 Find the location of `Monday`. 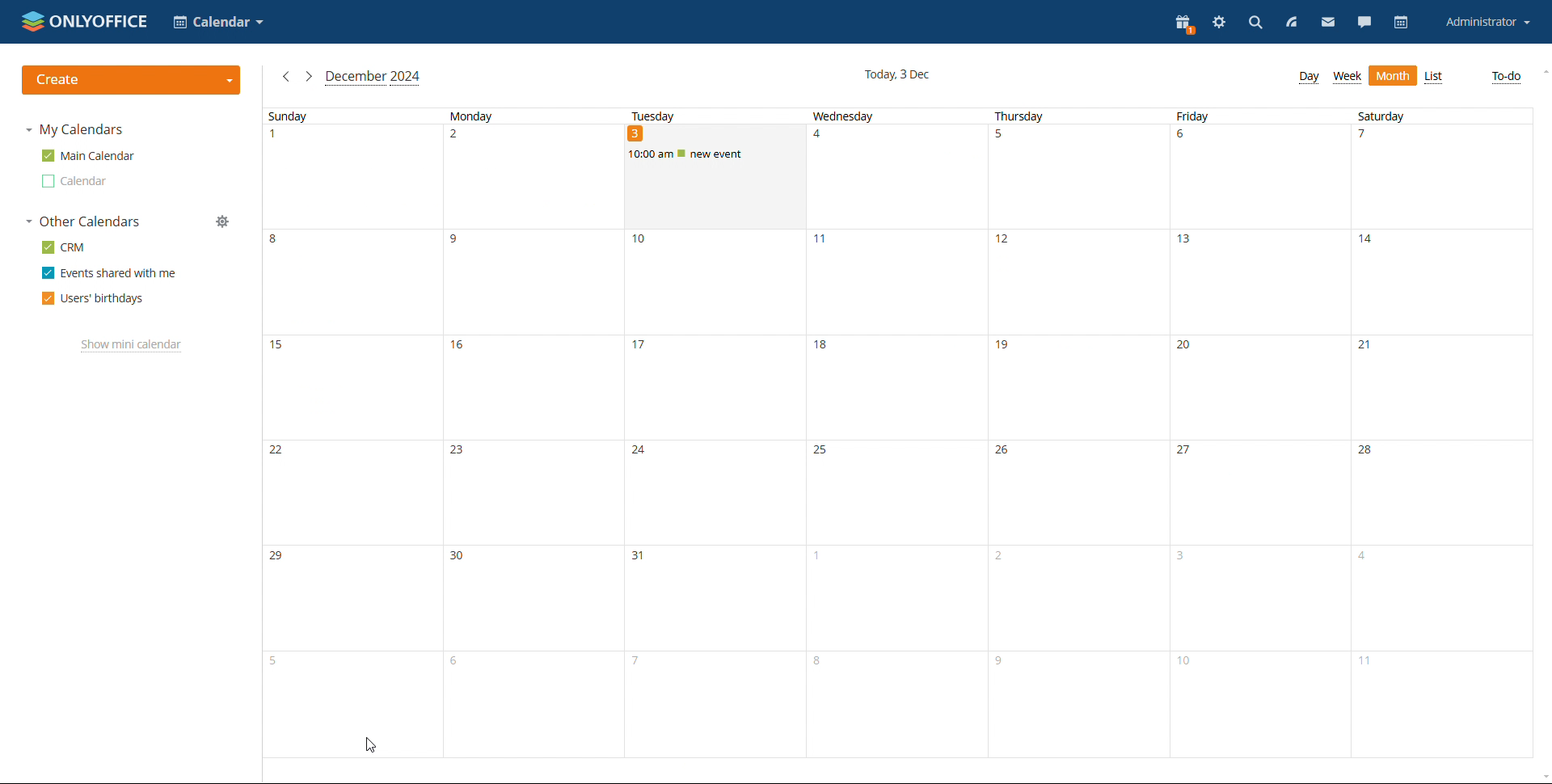

Monday is located at coordinates (528, 115).